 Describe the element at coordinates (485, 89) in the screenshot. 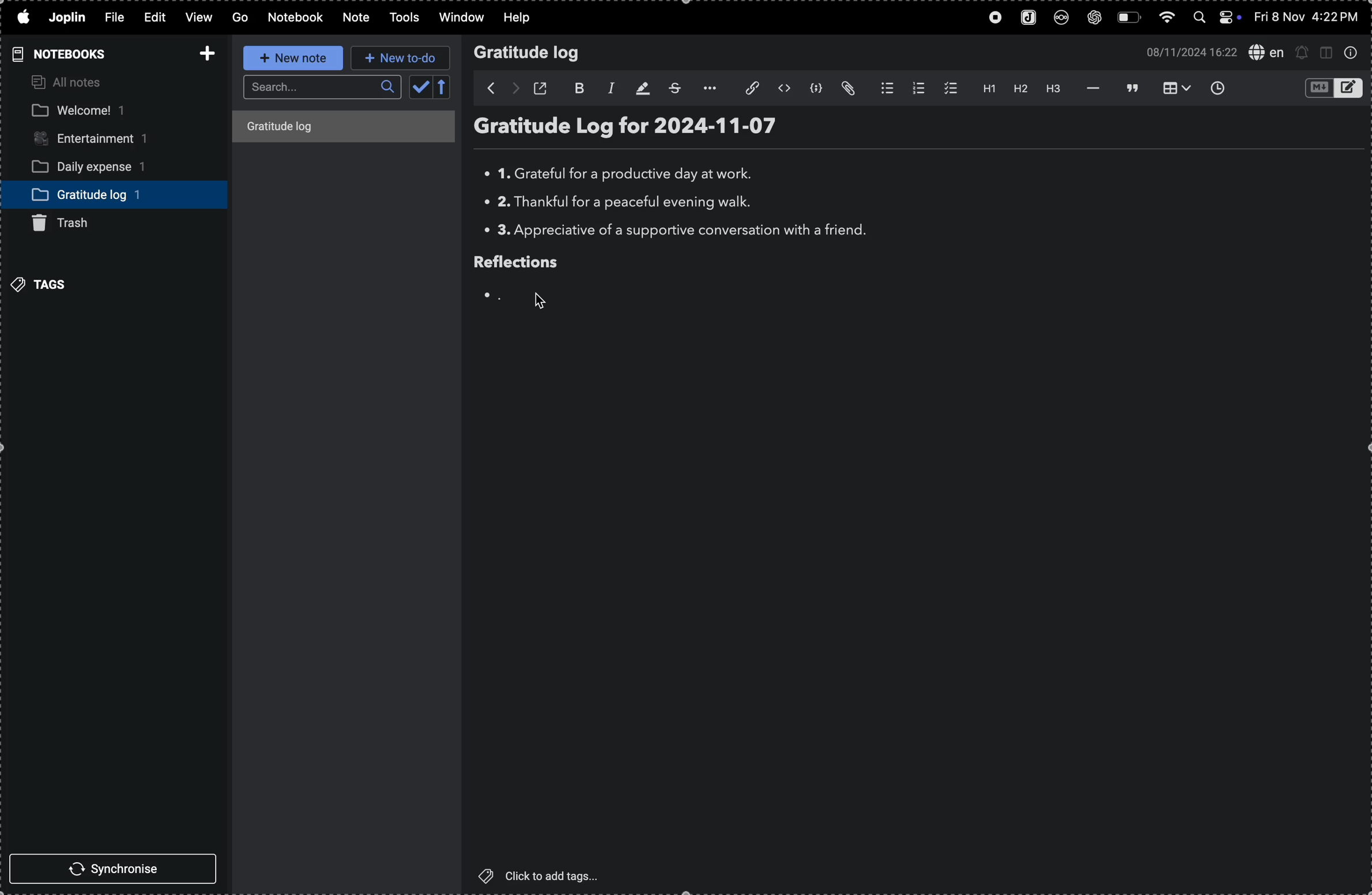

I see `backward` at that location.